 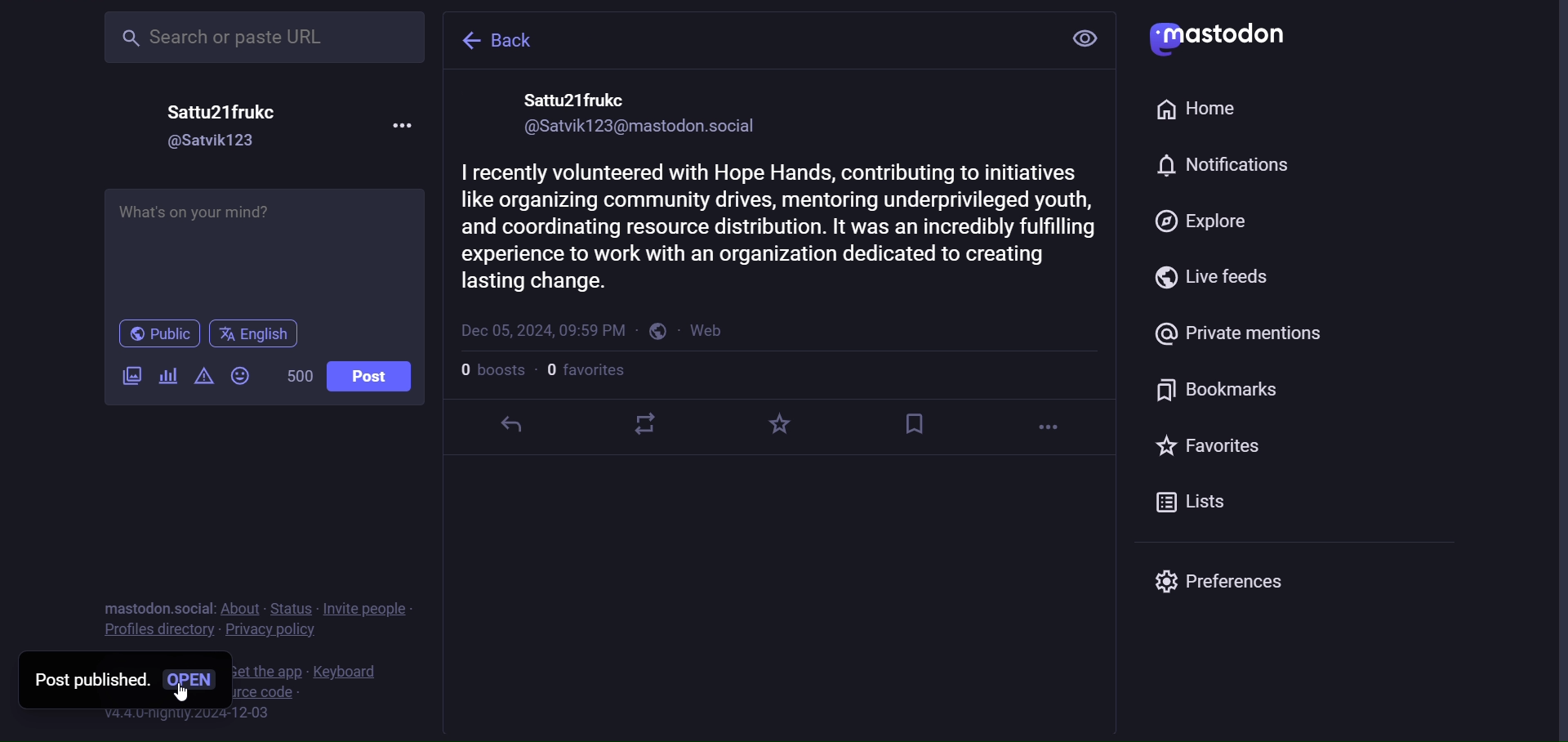 What do you see at coordinates (180, 694) in the screenshot?
I see `Cursor` at bounding box center [180, 694].